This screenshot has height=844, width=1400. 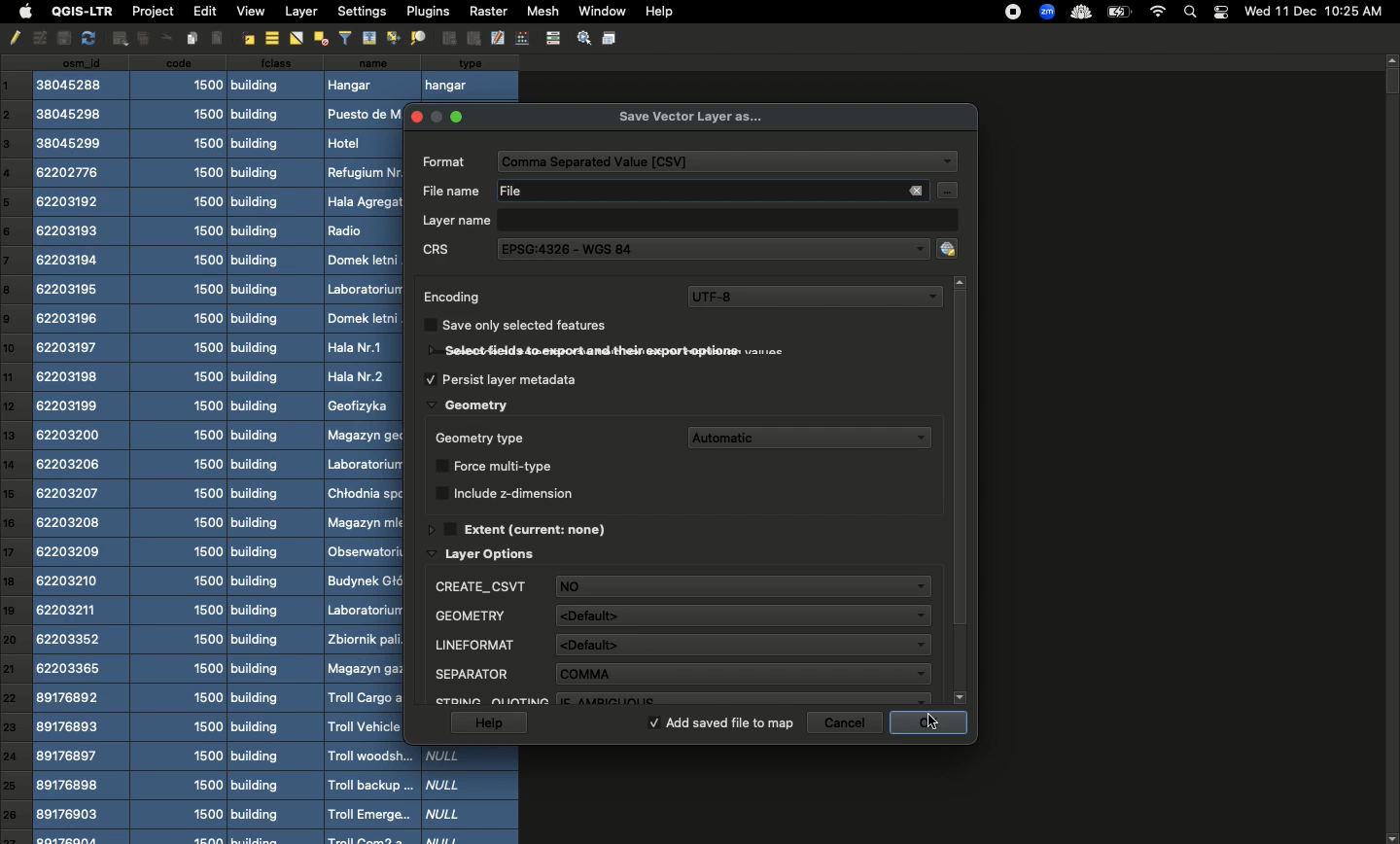 What do you see at coordinates (248, 38) in the screenshot?
I see `Align right` at bounding box center [248, 38].